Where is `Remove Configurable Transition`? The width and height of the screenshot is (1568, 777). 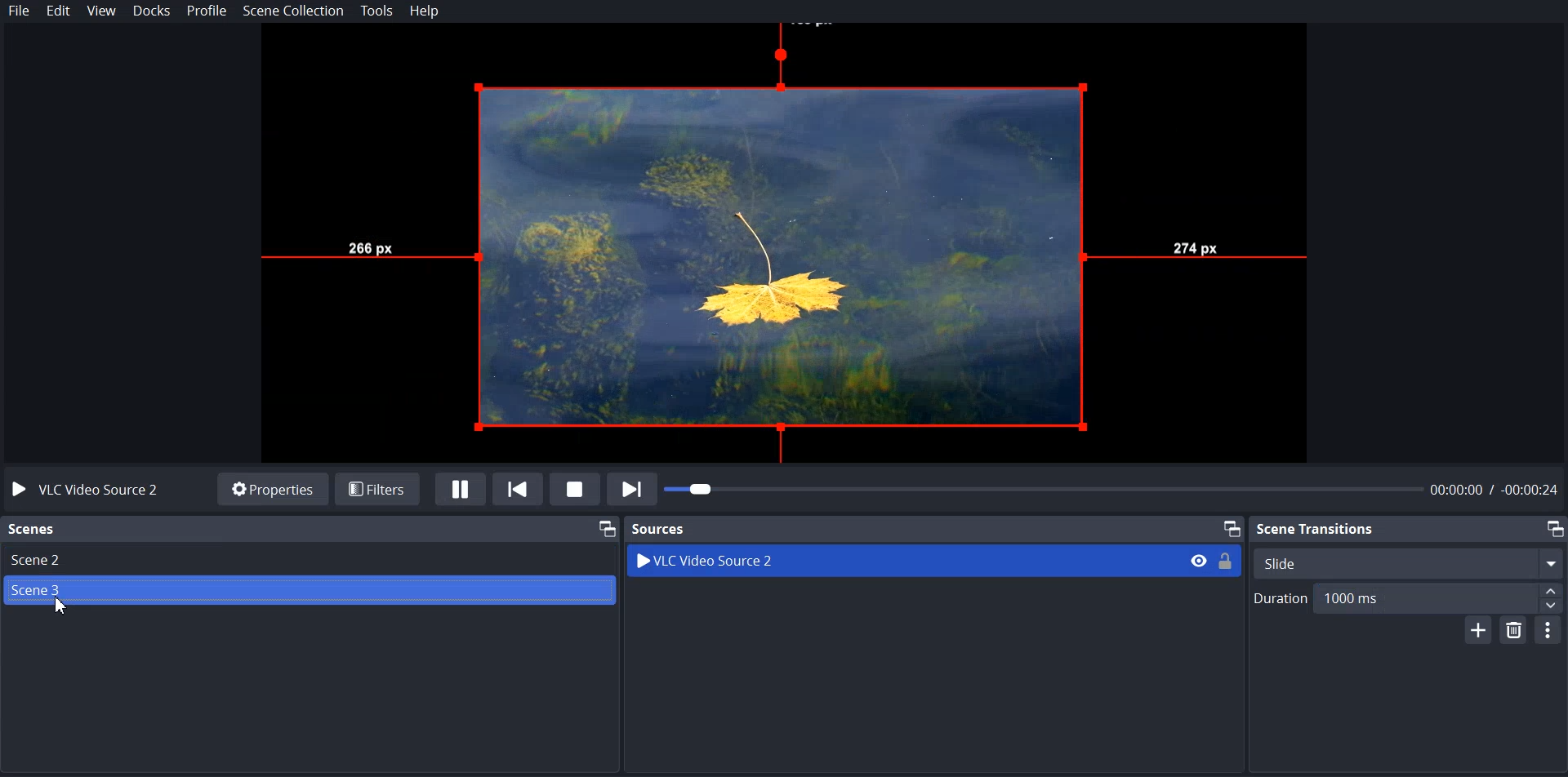
Remove Configurable Transition is located at coordinates (1516, 628).